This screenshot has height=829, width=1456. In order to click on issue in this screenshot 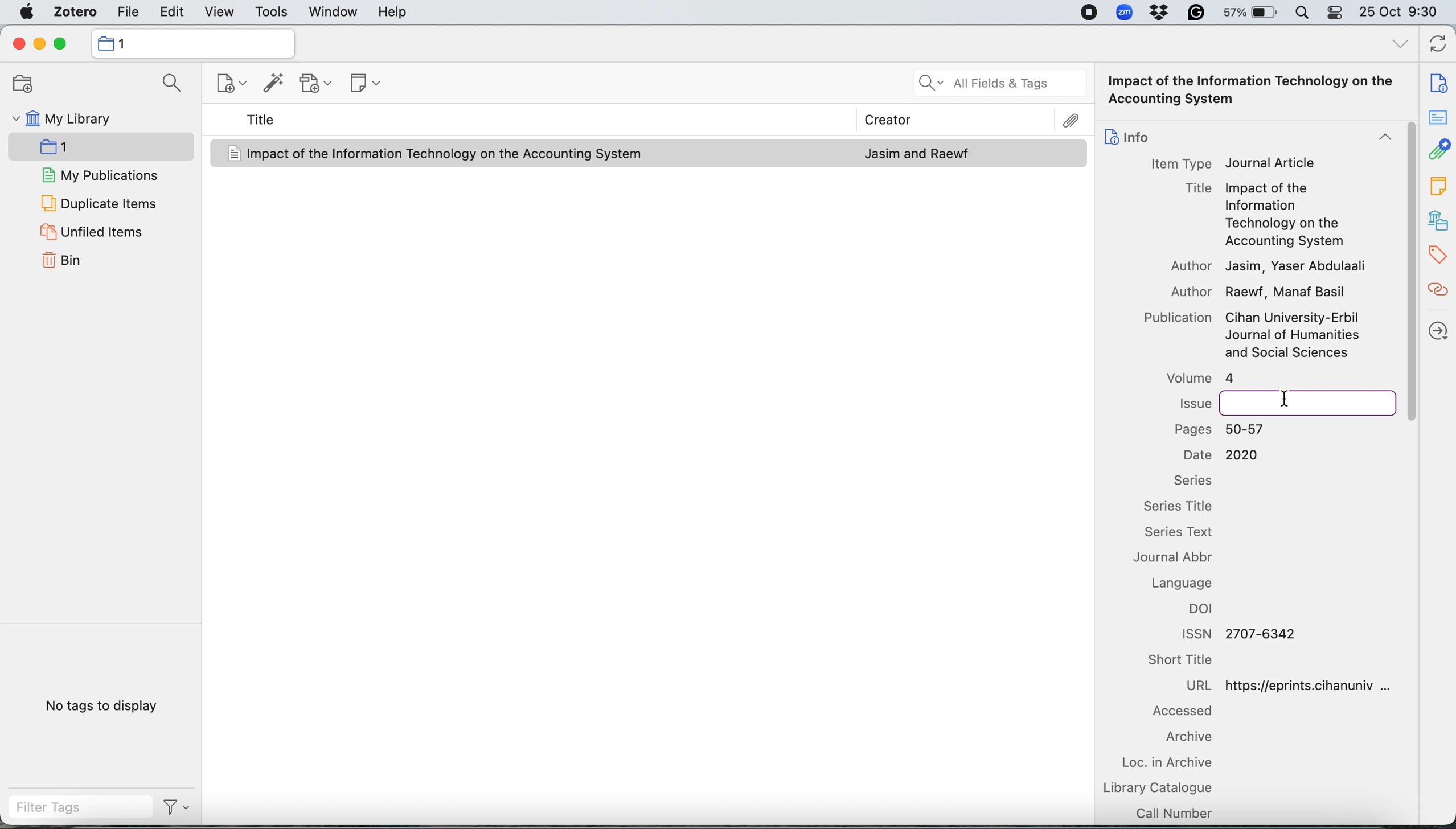, I will do `click(1194, 403)`.